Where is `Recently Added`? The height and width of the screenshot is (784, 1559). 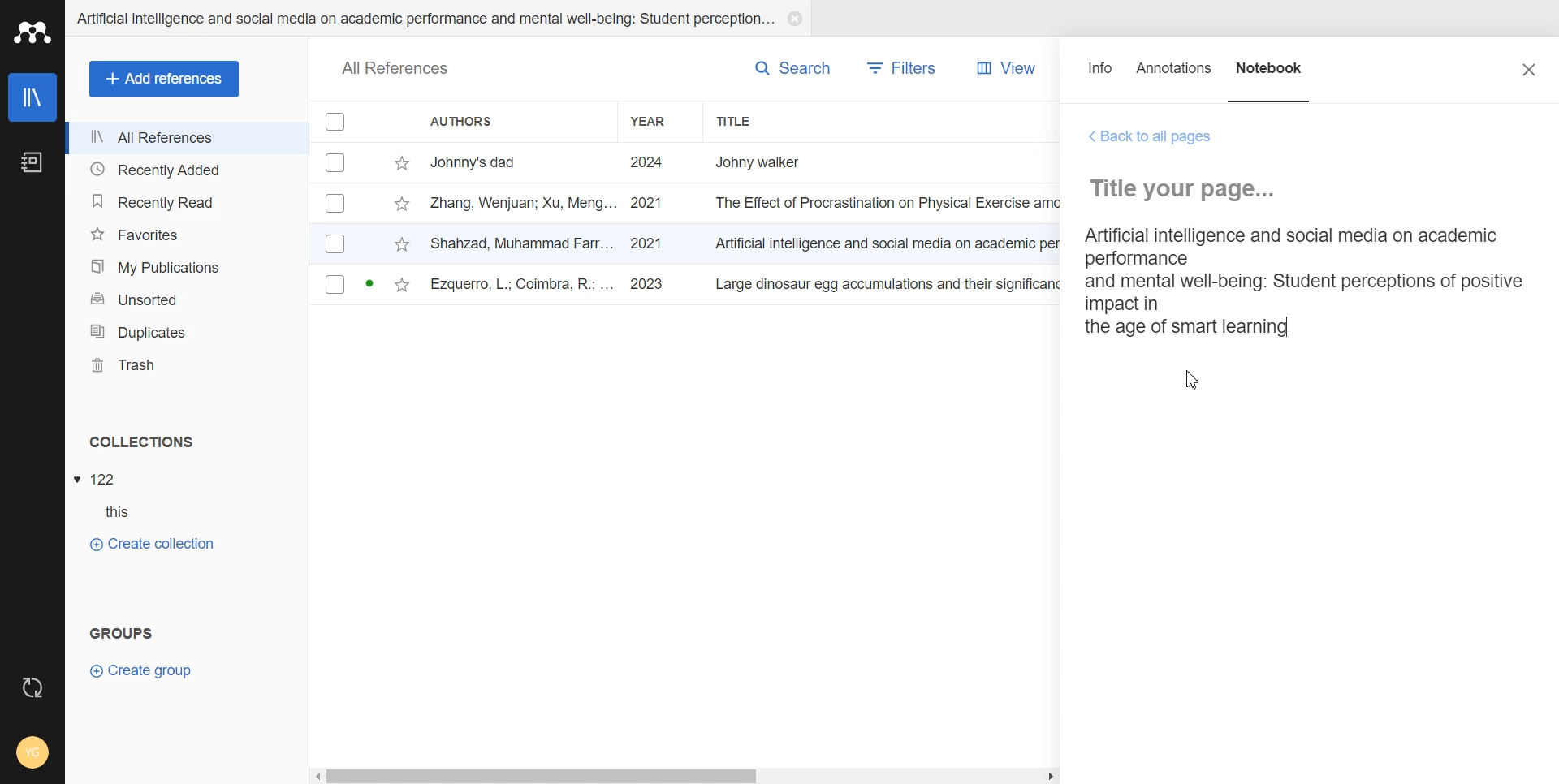 Recently Added is located at coordinates (186, 168).